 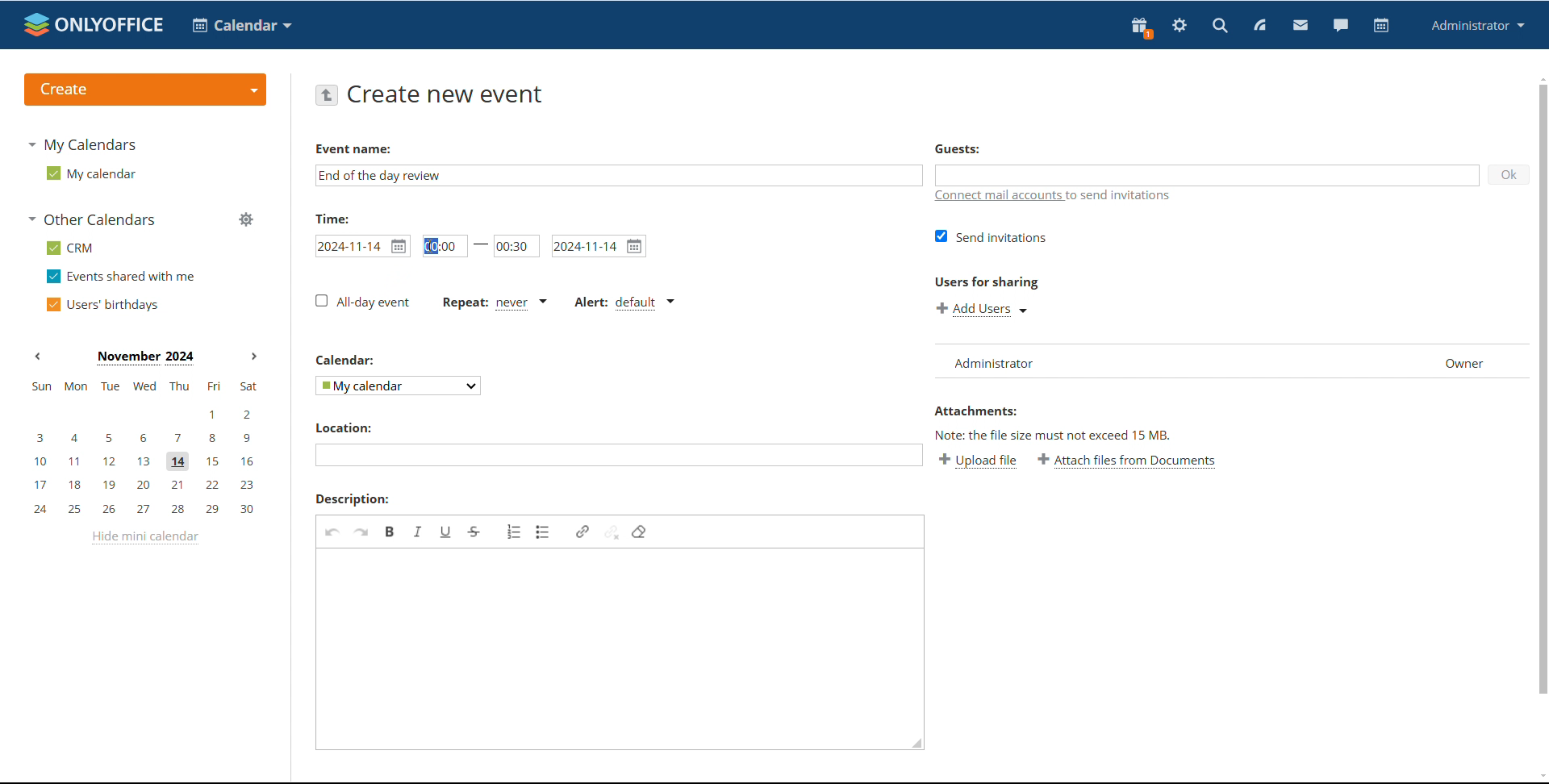 What do you see at coordinates (1508, 174) in the screenshot?
I see `ok` at bounding box center [1508, 174].